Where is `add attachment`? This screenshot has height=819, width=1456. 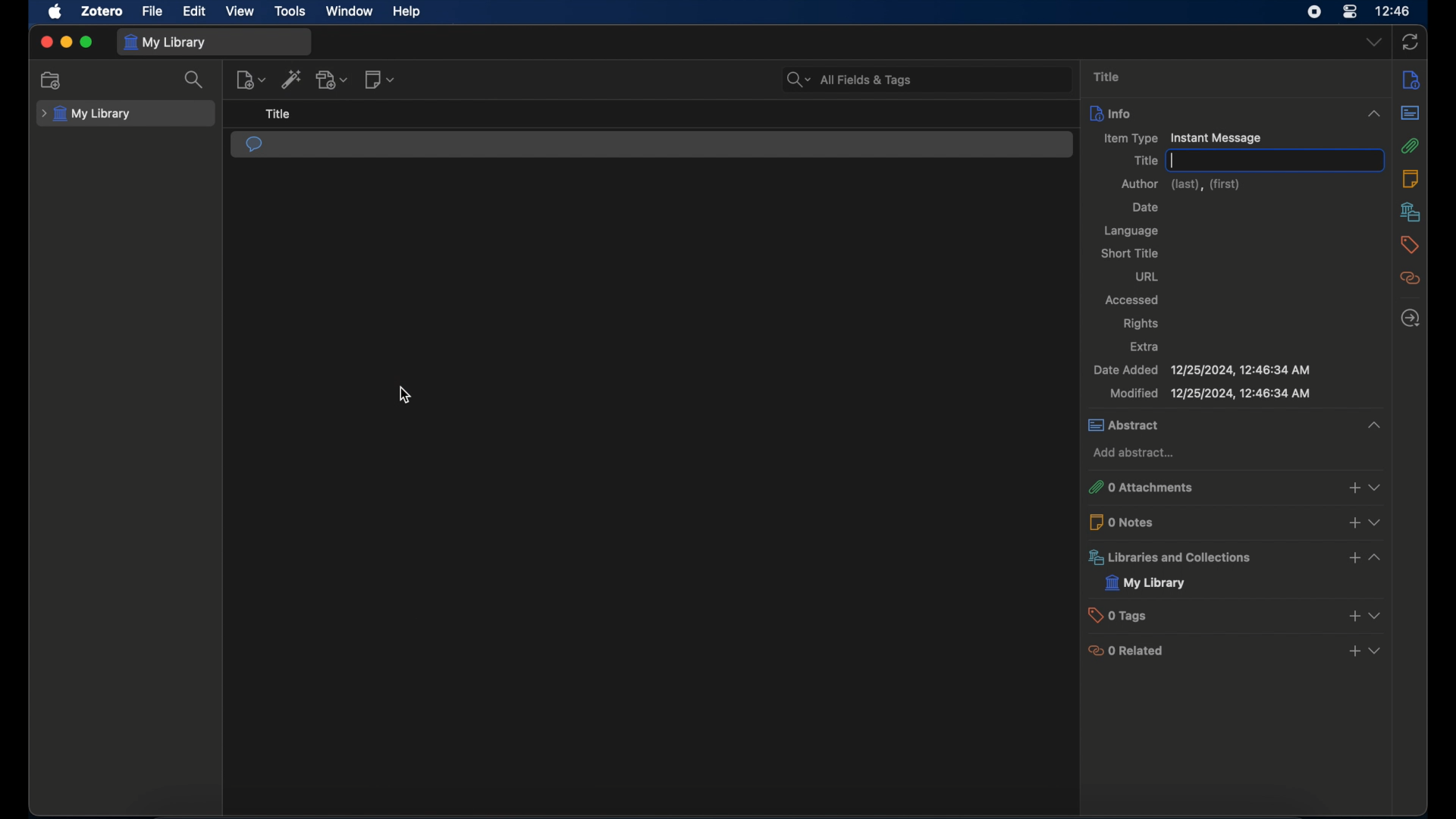 add attachment is located at coordinates (334, 80).